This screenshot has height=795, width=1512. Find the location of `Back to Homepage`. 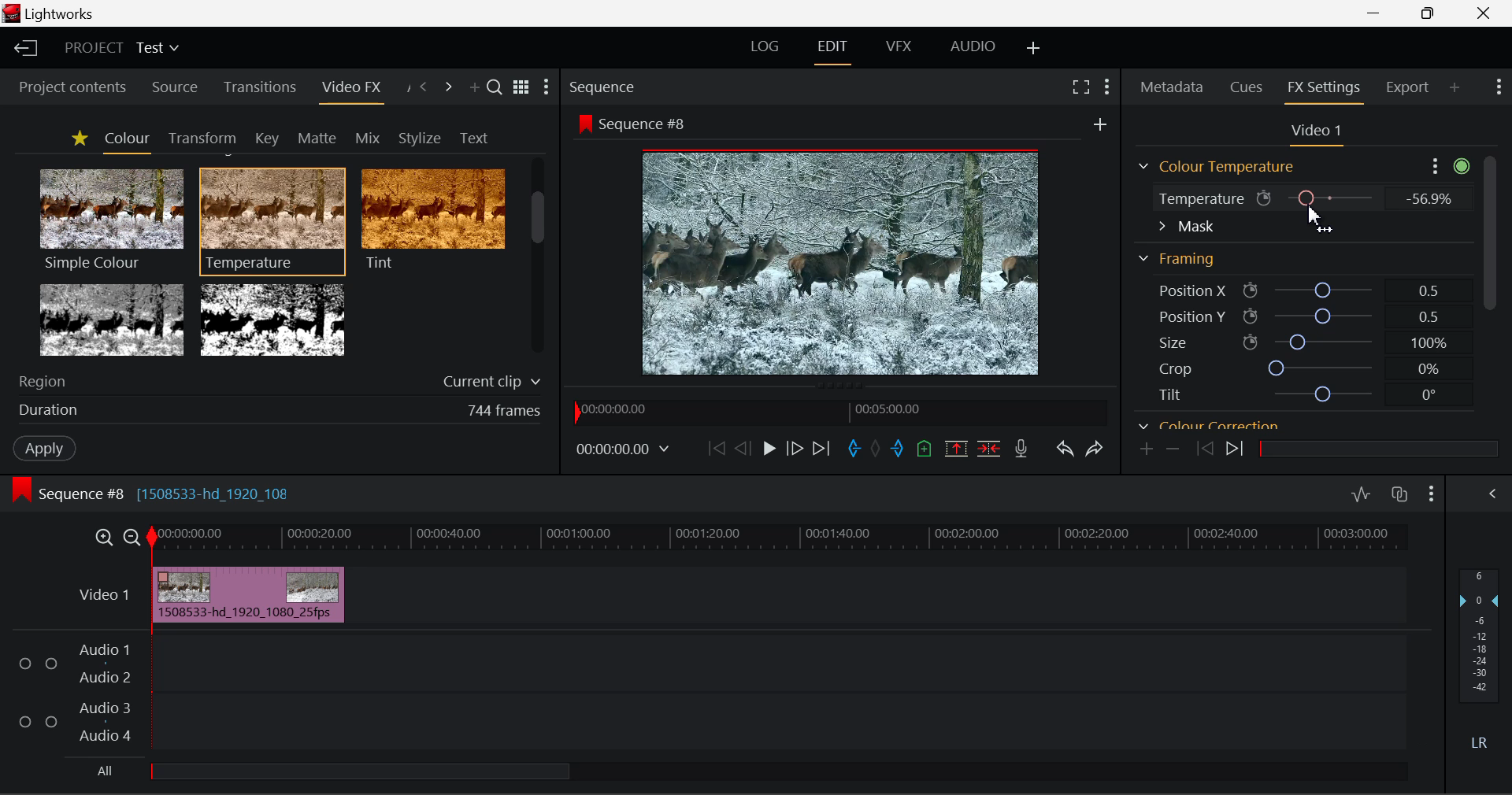

Back to Homepage is located at coordinates (24, 46).